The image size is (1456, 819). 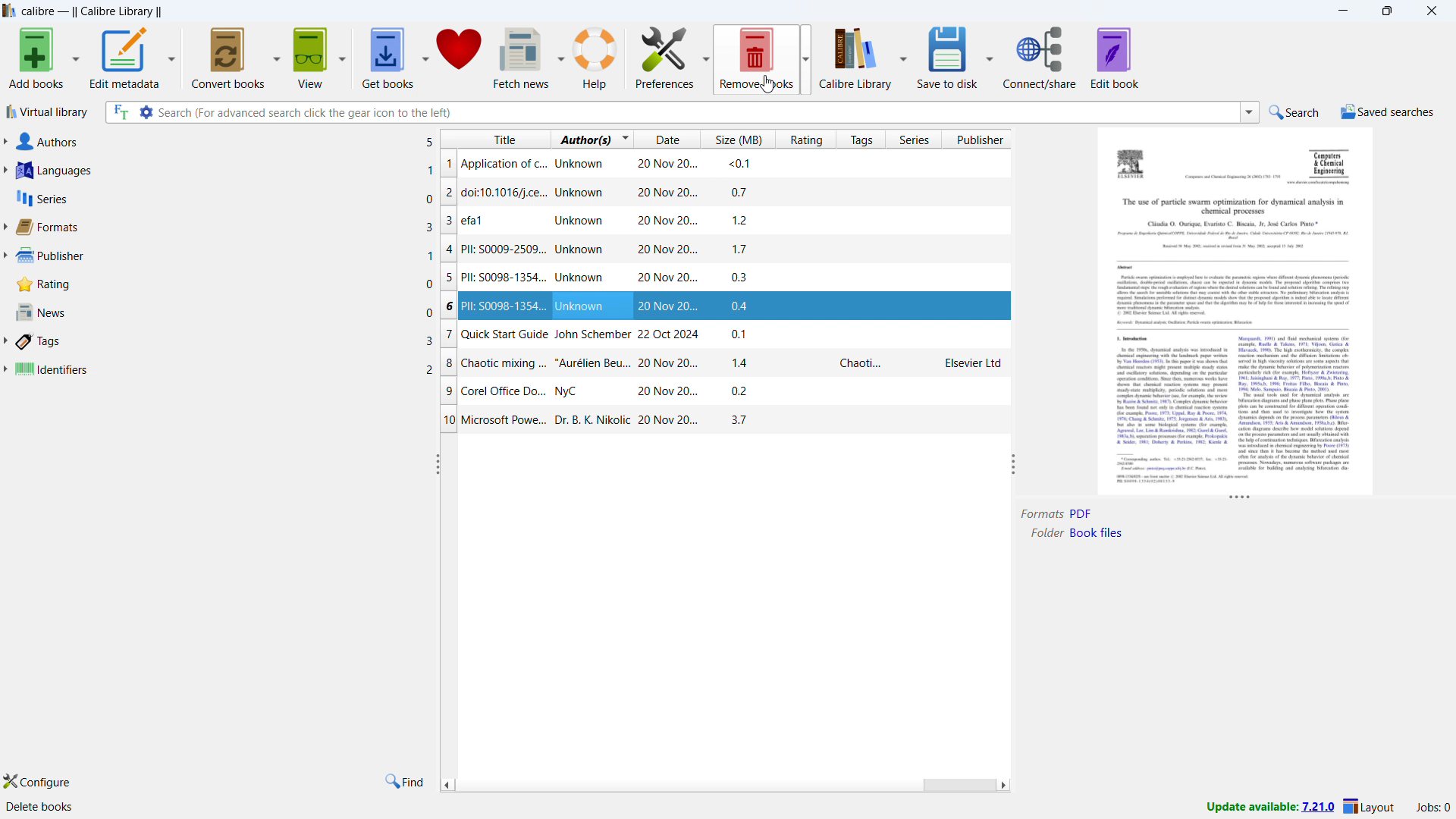 I want to click on scroll right, so click(x=1004, y=786).